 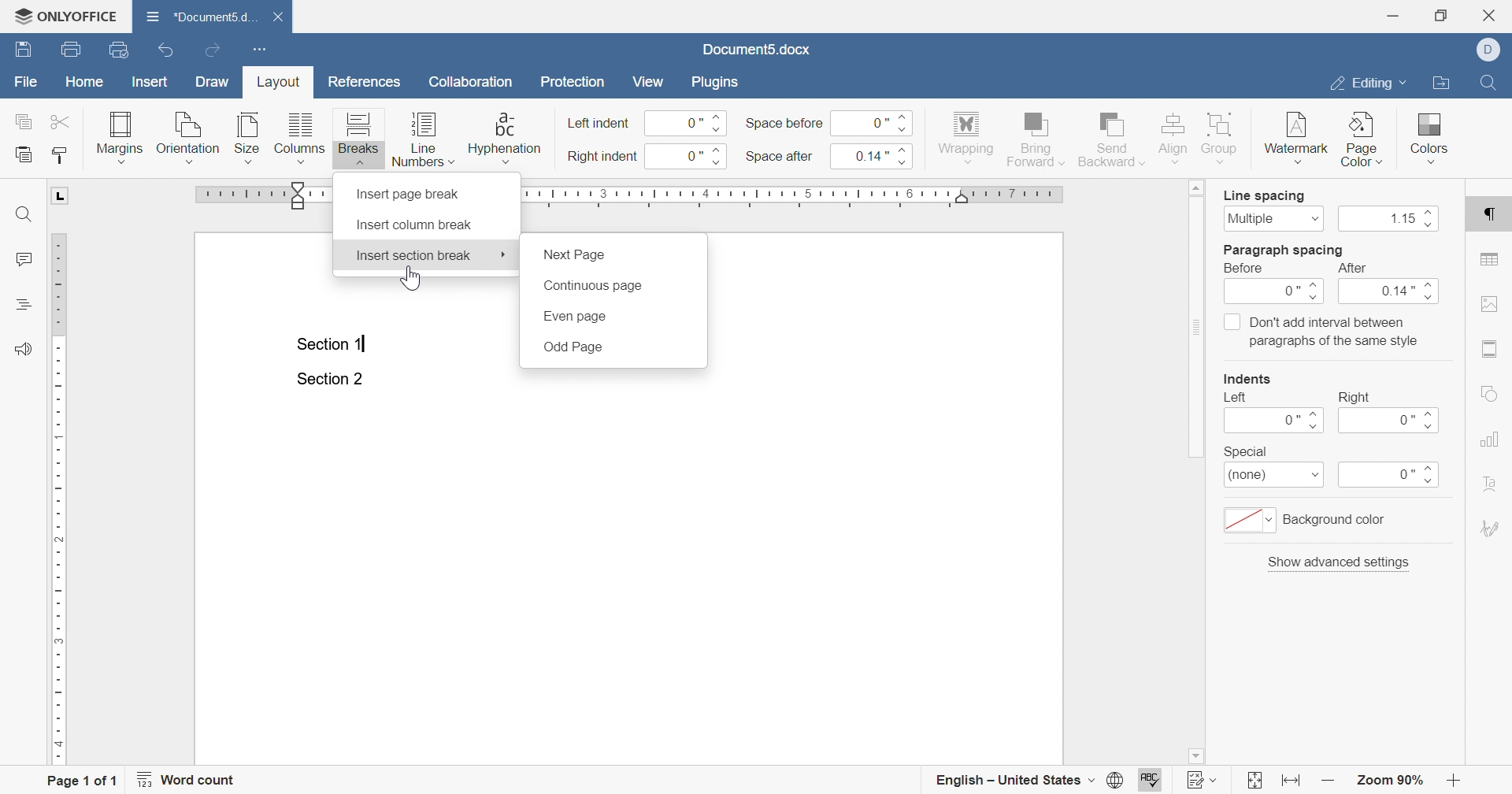 I want to click on find, so click(x=26, y=213).